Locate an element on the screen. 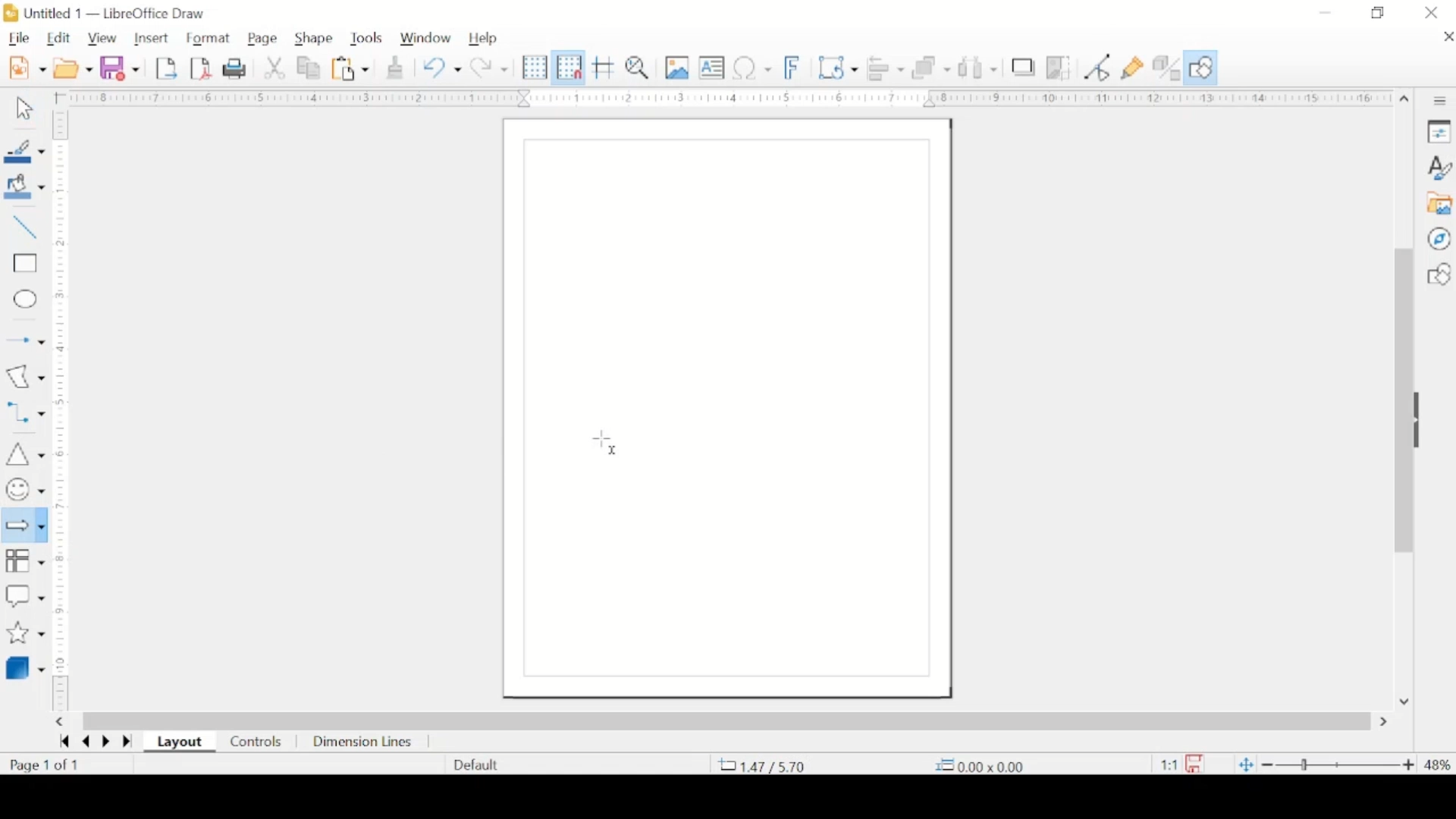  navigator is located at coordinates (1439, 238).